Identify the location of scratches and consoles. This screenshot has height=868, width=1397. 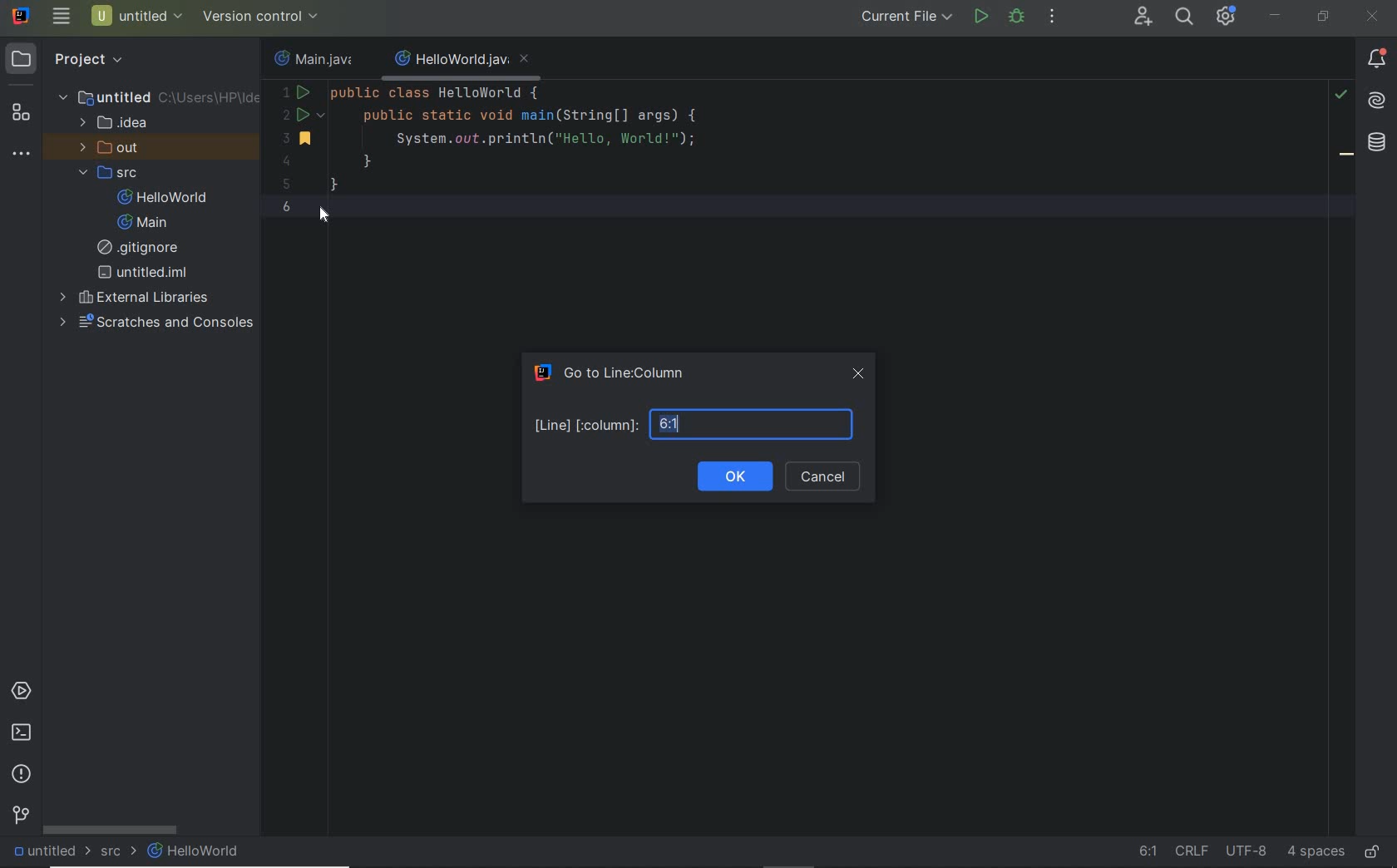
(157, 323).